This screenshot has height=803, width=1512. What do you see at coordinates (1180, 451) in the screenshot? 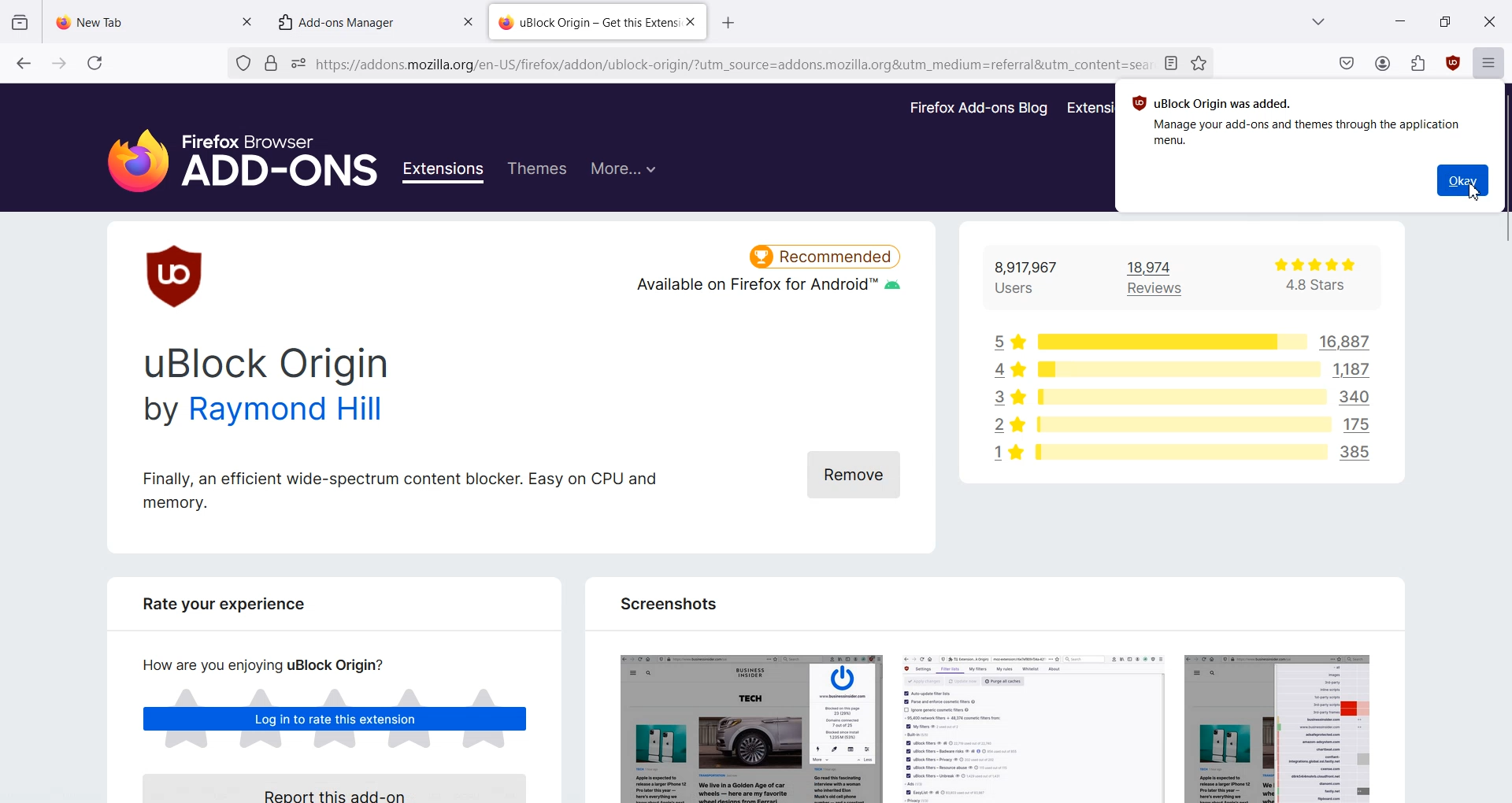
I see `rating bar` at bounding box center [1180, 451].